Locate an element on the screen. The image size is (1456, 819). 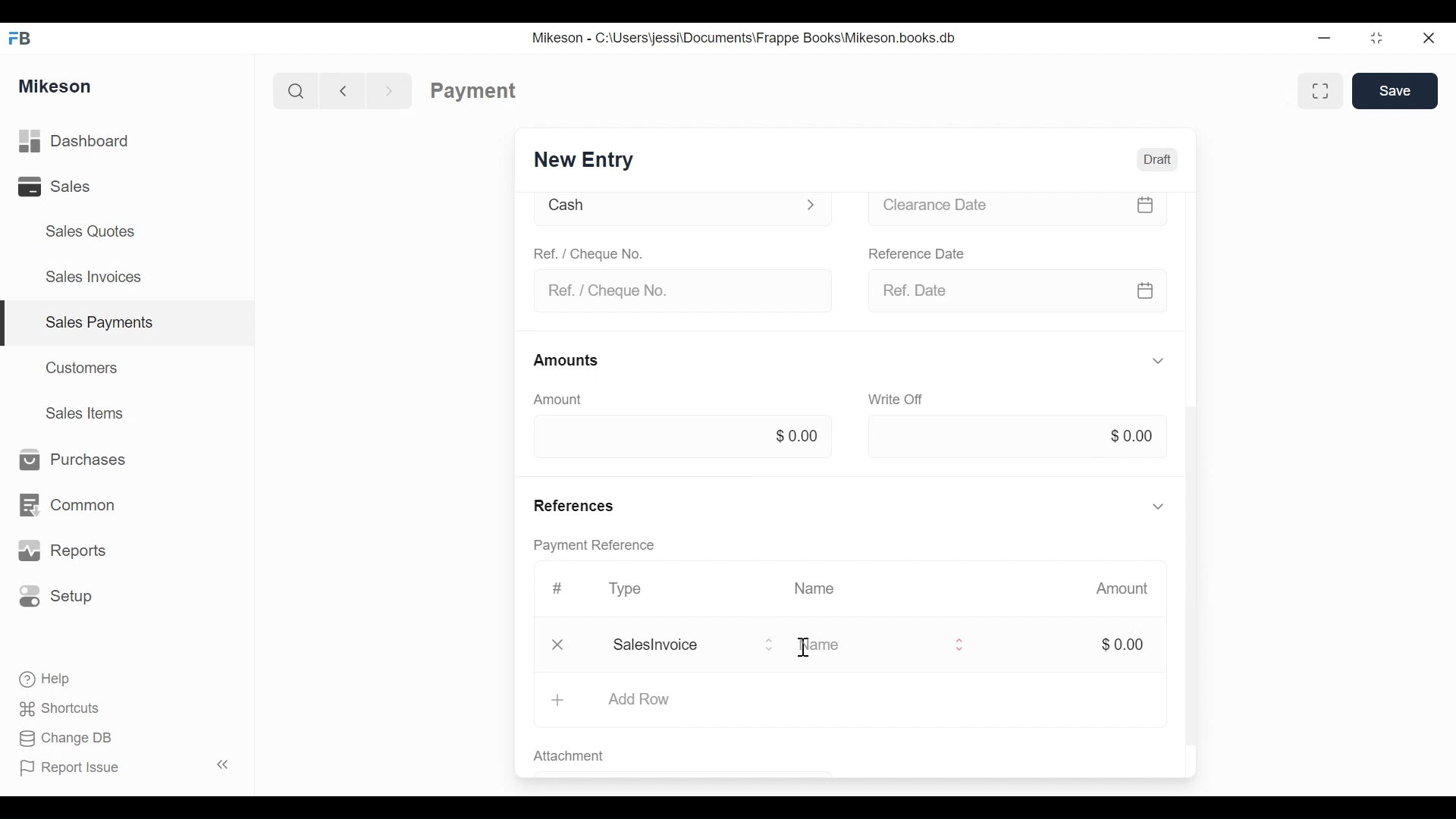
Dashboard is located at coordinates (99, 142).